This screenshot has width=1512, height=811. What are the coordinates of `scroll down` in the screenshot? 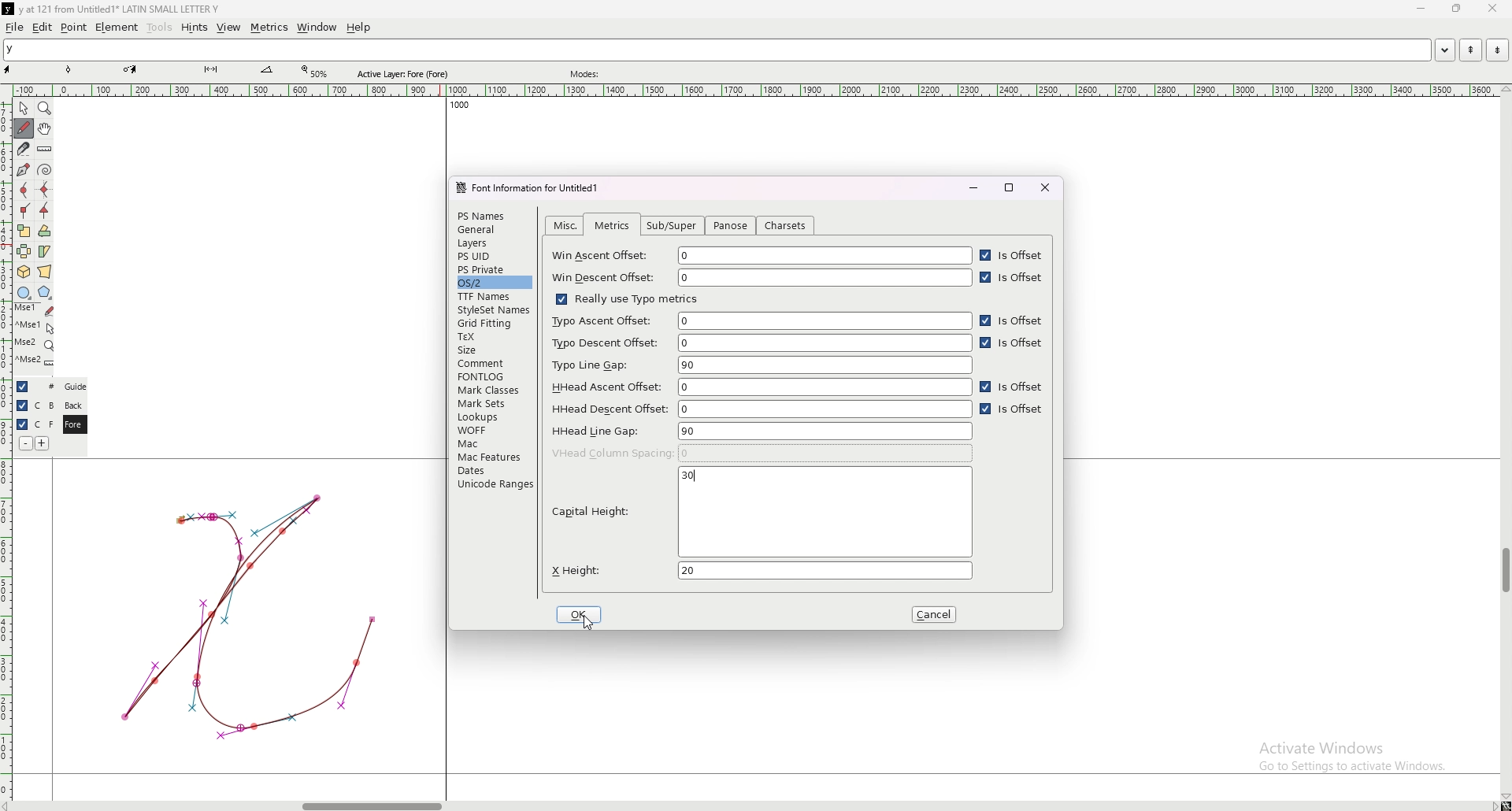 It's located at (1505, 797).